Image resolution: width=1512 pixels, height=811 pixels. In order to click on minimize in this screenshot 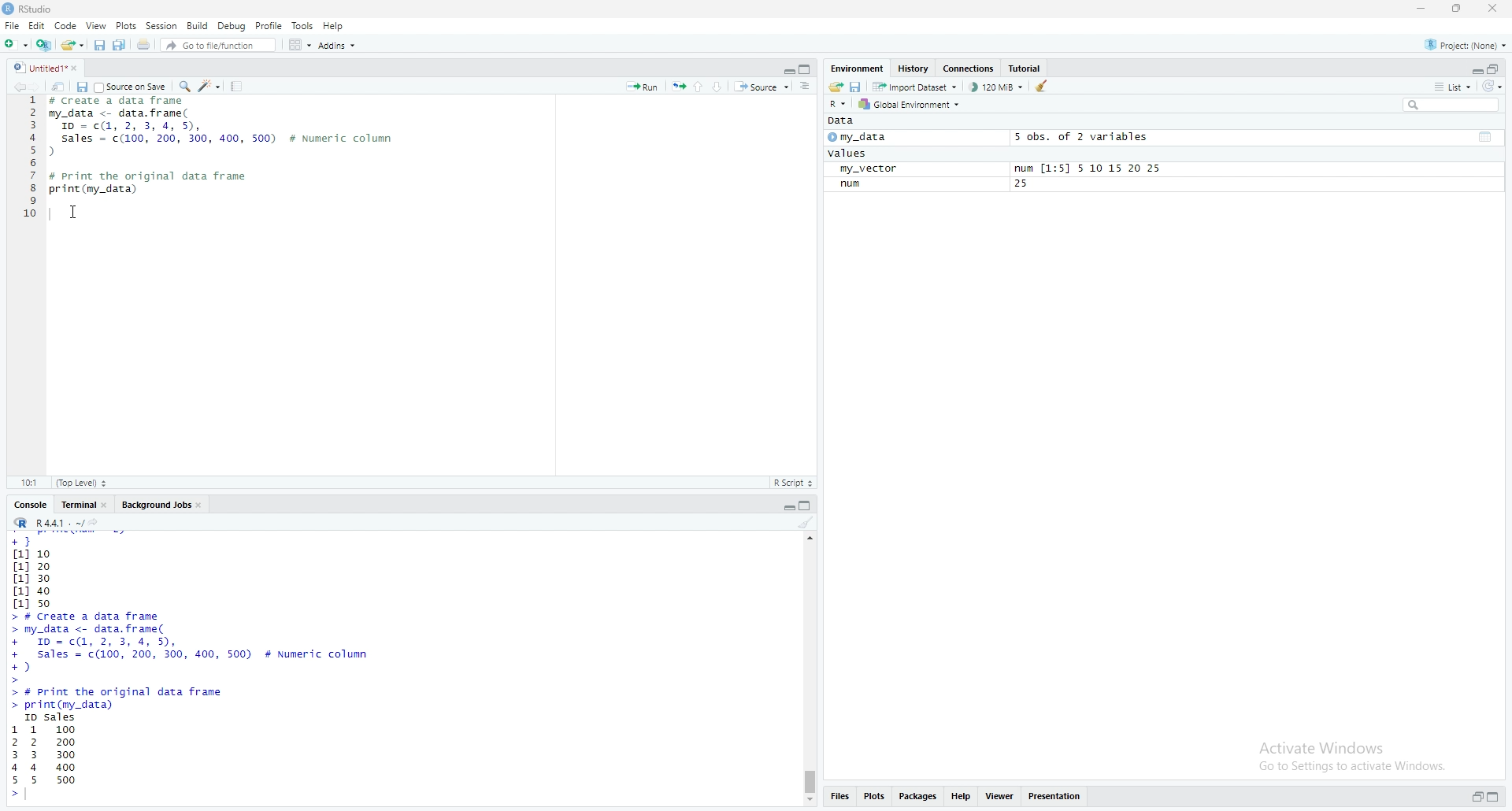, I will do `click(1473, 796)`.